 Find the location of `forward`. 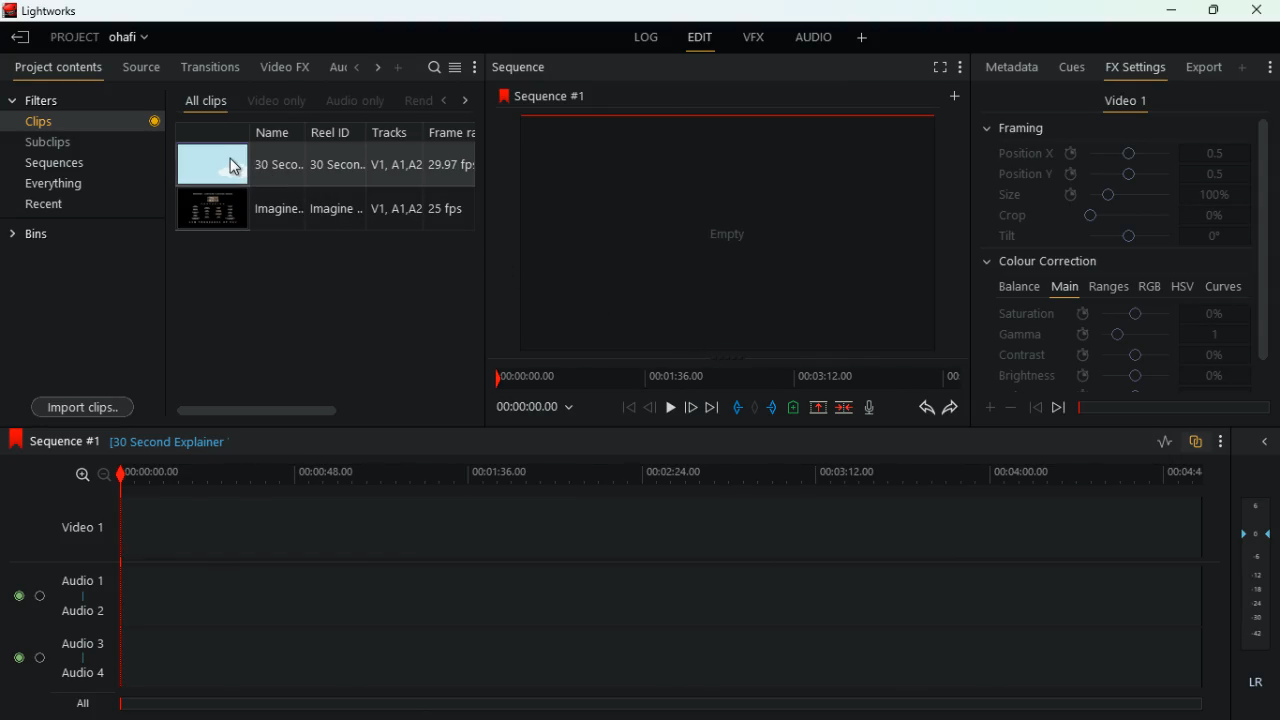

forward is located at coordinates (711, 408).